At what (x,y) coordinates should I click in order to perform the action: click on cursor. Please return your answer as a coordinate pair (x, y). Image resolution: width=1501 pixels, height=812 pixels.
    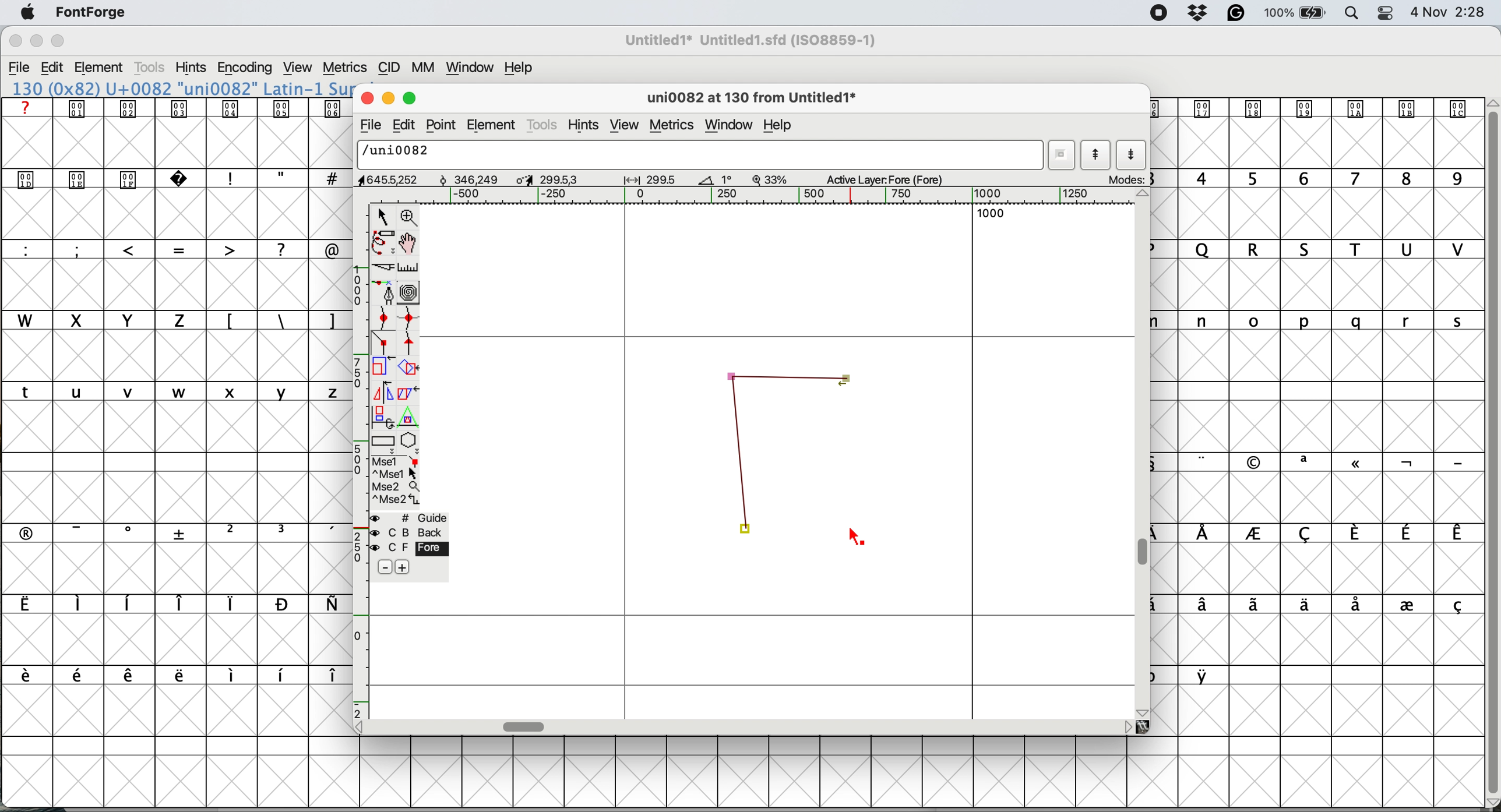
    Looking at the image, I should click on (858, 537).